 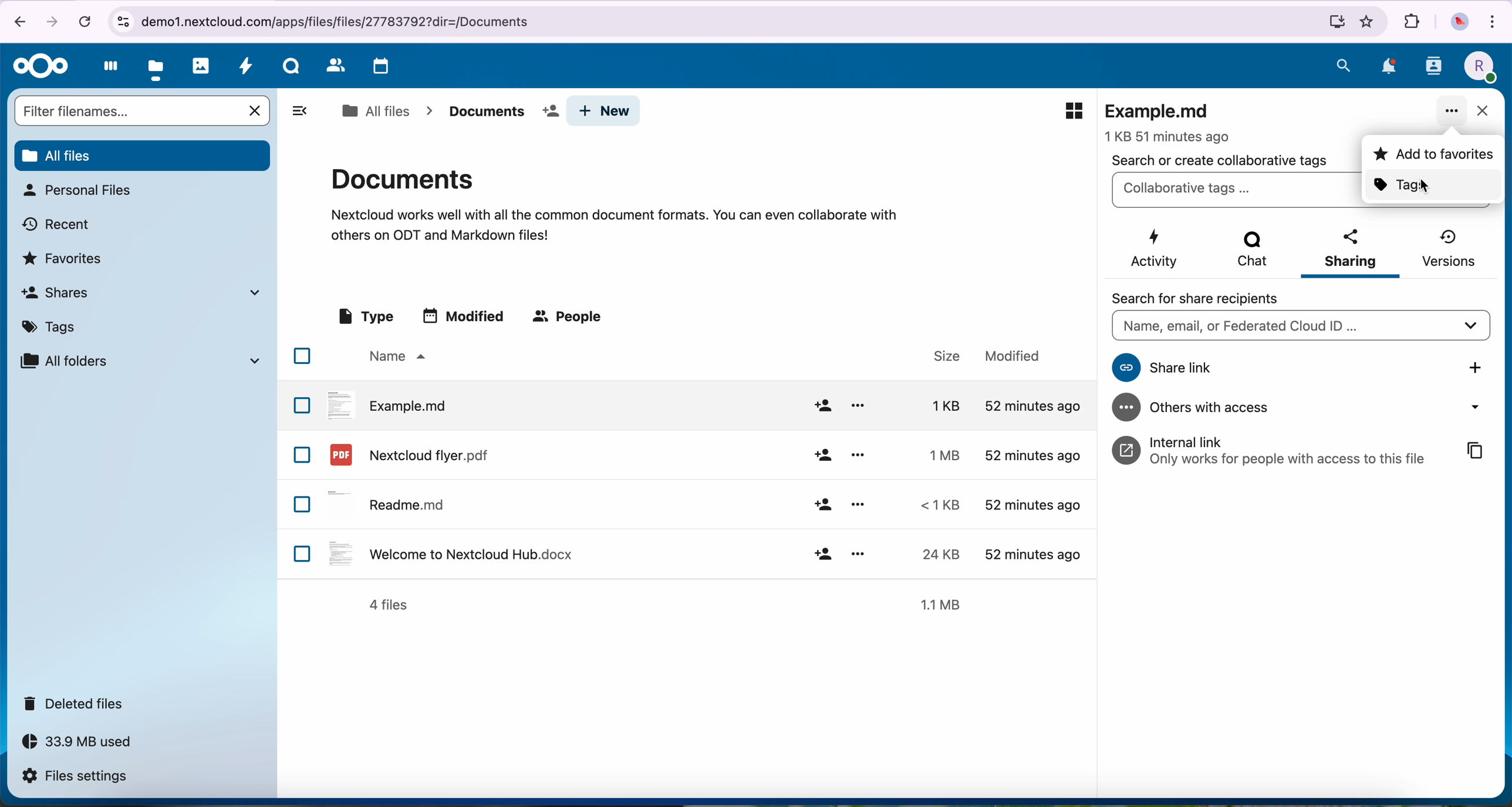 What do you see at coordinates (1432, 154) in the screenshot?
I see `add to favorites` at bounding box center [1432, 154].